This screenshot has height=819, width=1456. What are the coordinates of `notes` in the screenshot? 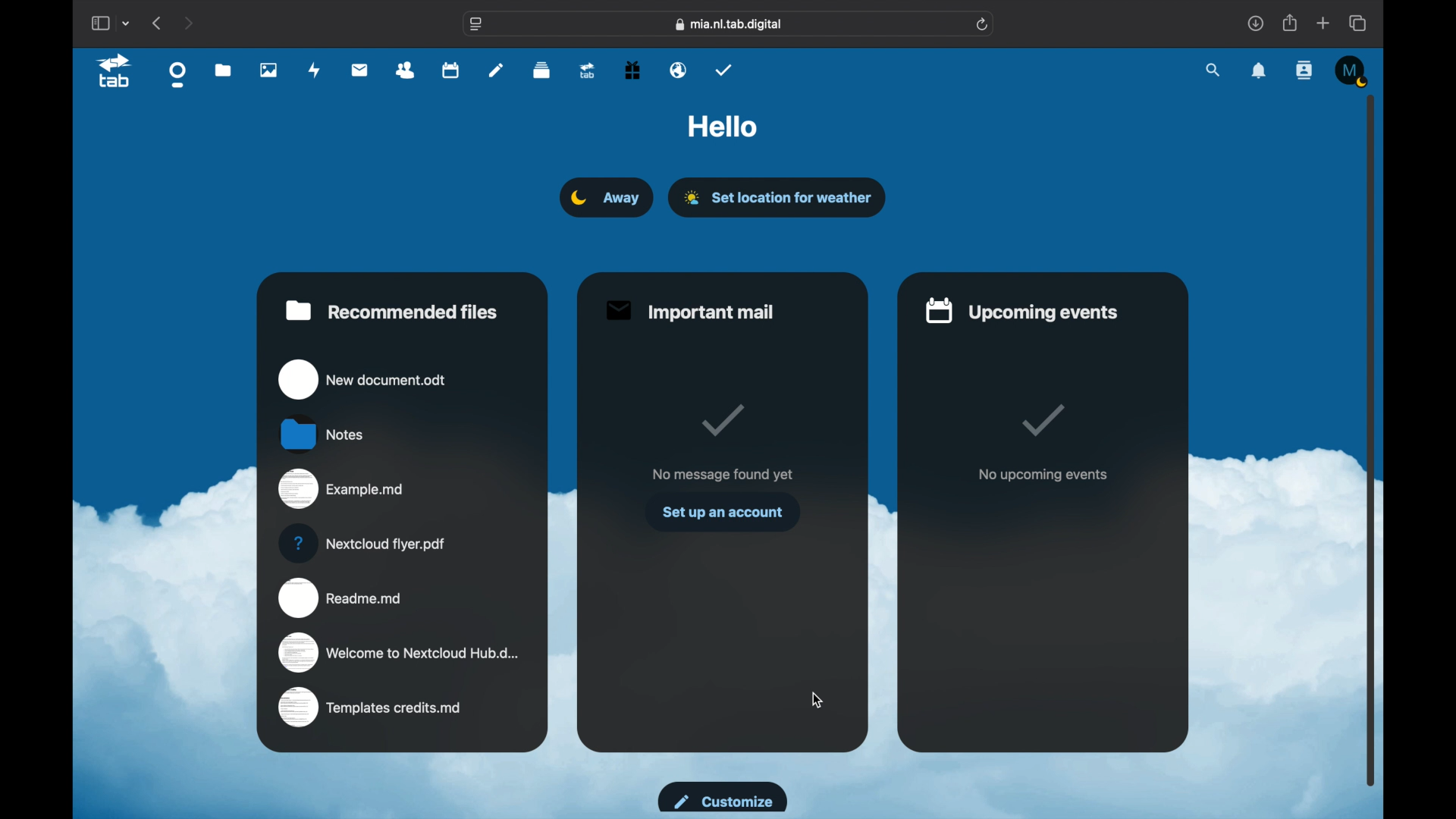 It's located at (496, 71).